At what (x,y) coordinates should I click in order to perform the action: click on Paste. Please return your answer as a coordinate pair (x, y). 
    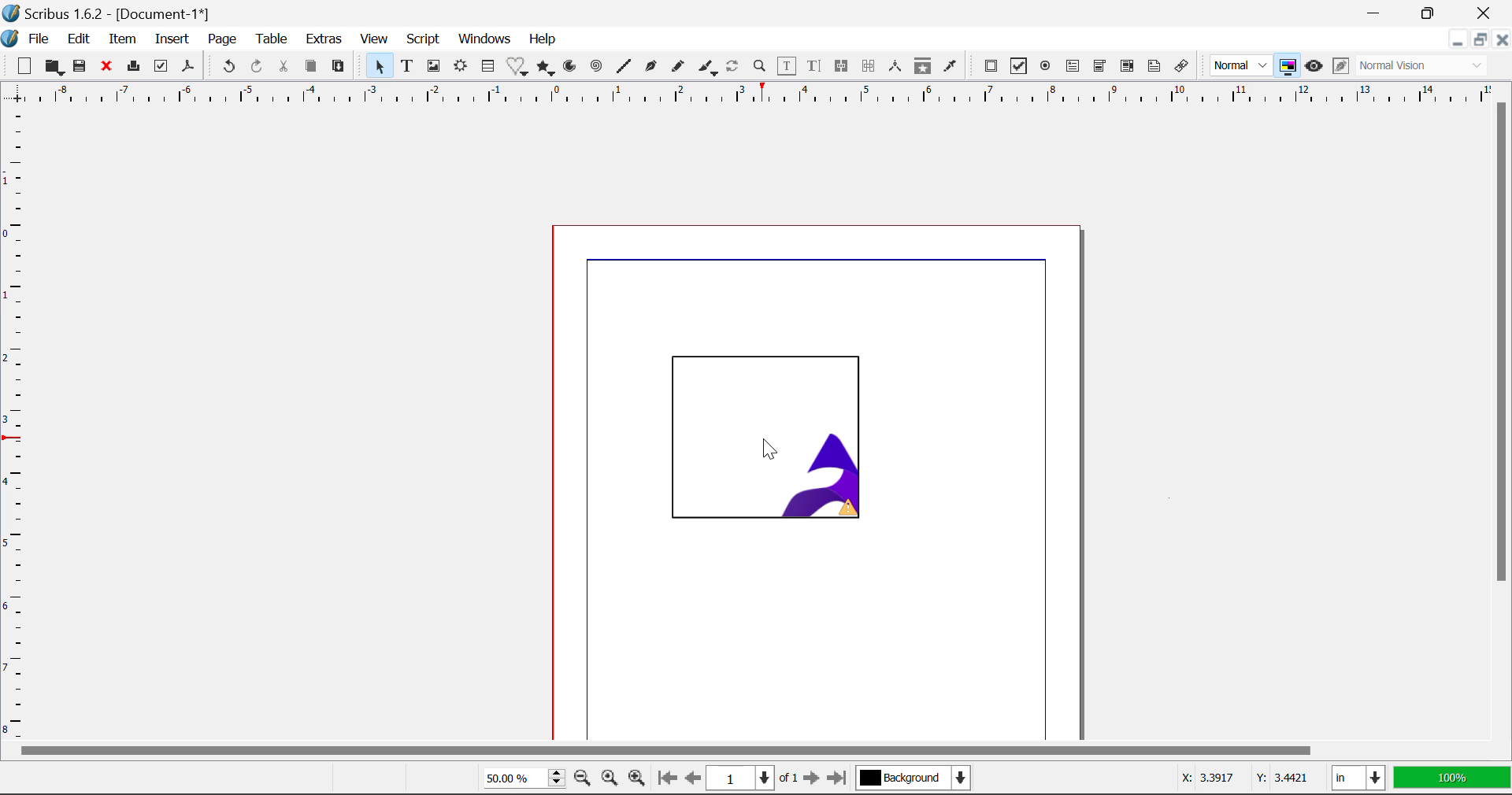
    Looking at the image, I should click on (339, 68).